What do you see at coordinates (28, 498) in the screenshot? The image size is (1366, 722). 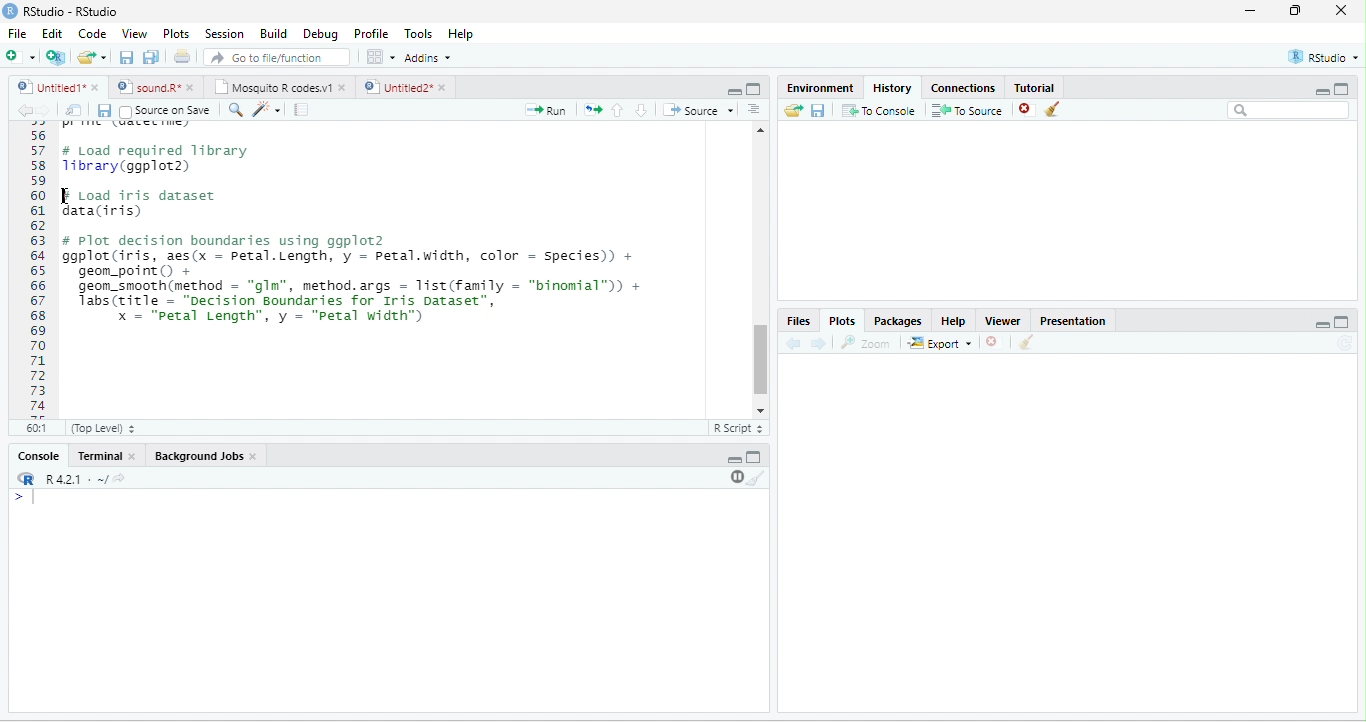 I see `start typing` at bounding box center [28, 498].